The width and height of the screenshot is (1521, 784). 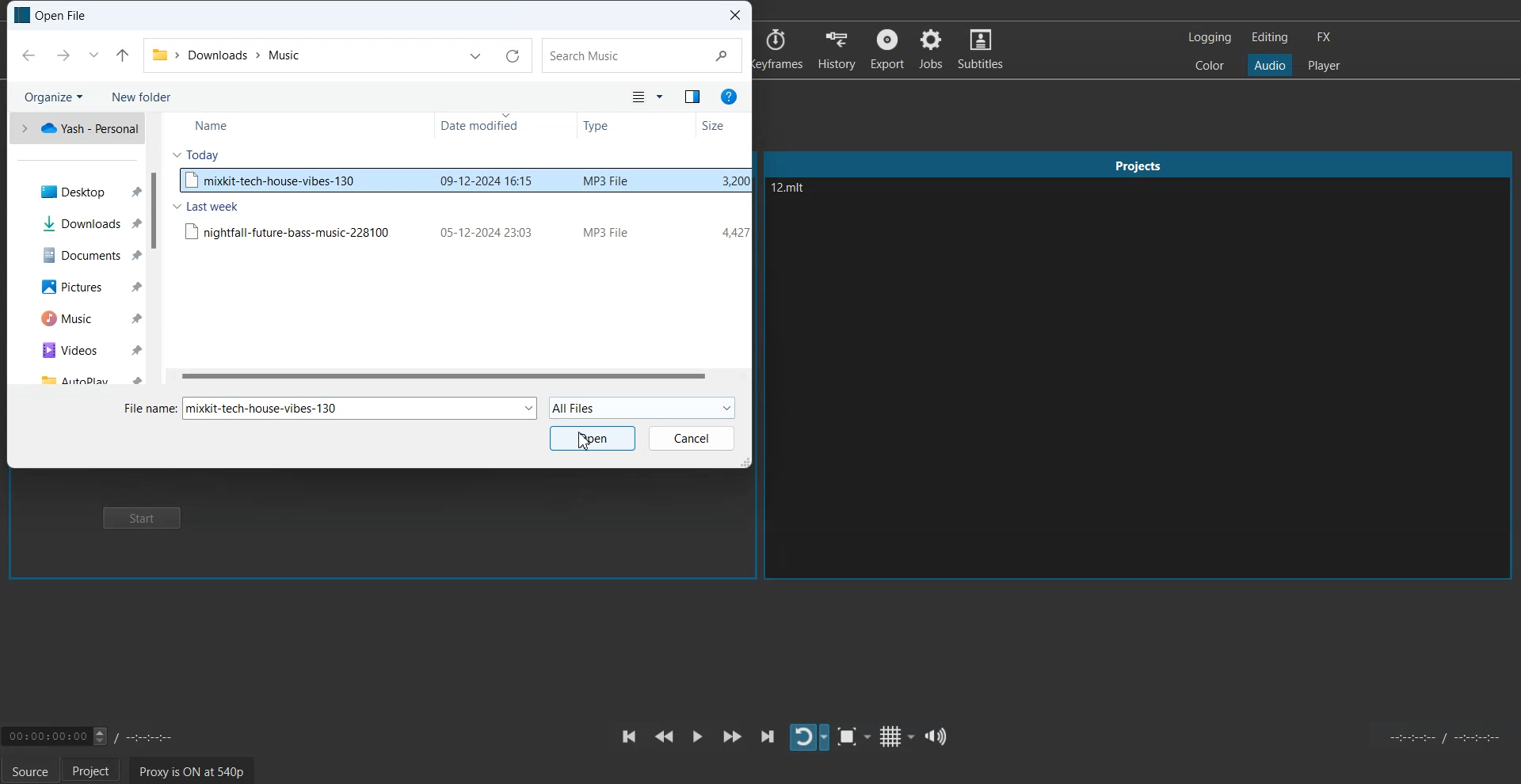 What do you see at coordinates (76, 285) in the screenshot?
I see `Pictures` at bounding box center [76, 285].